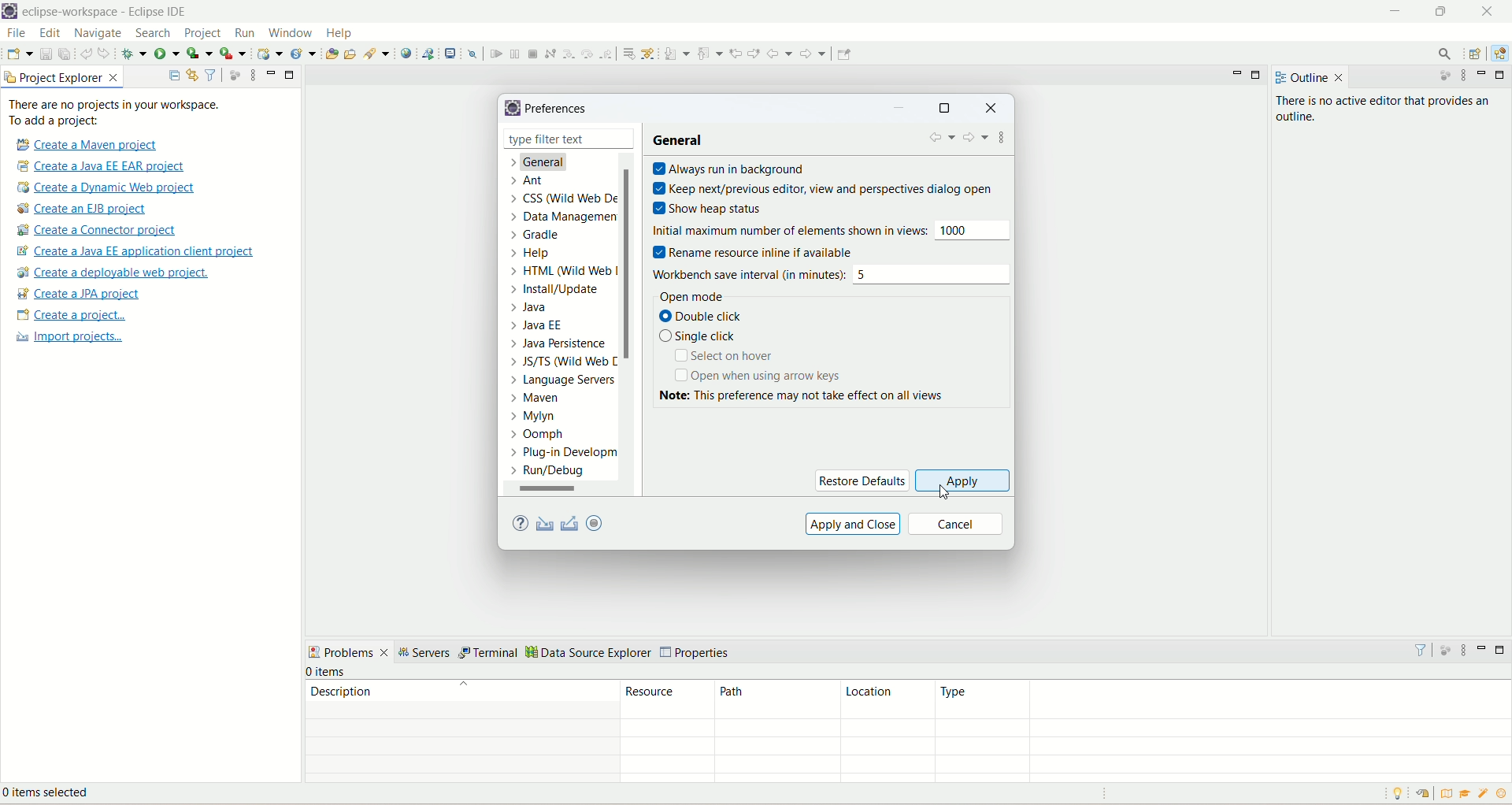 This screenshot has height=805, width=1512. Describe the element at coordinates (963, 480) in the screenshot. I see `apply` at that location.